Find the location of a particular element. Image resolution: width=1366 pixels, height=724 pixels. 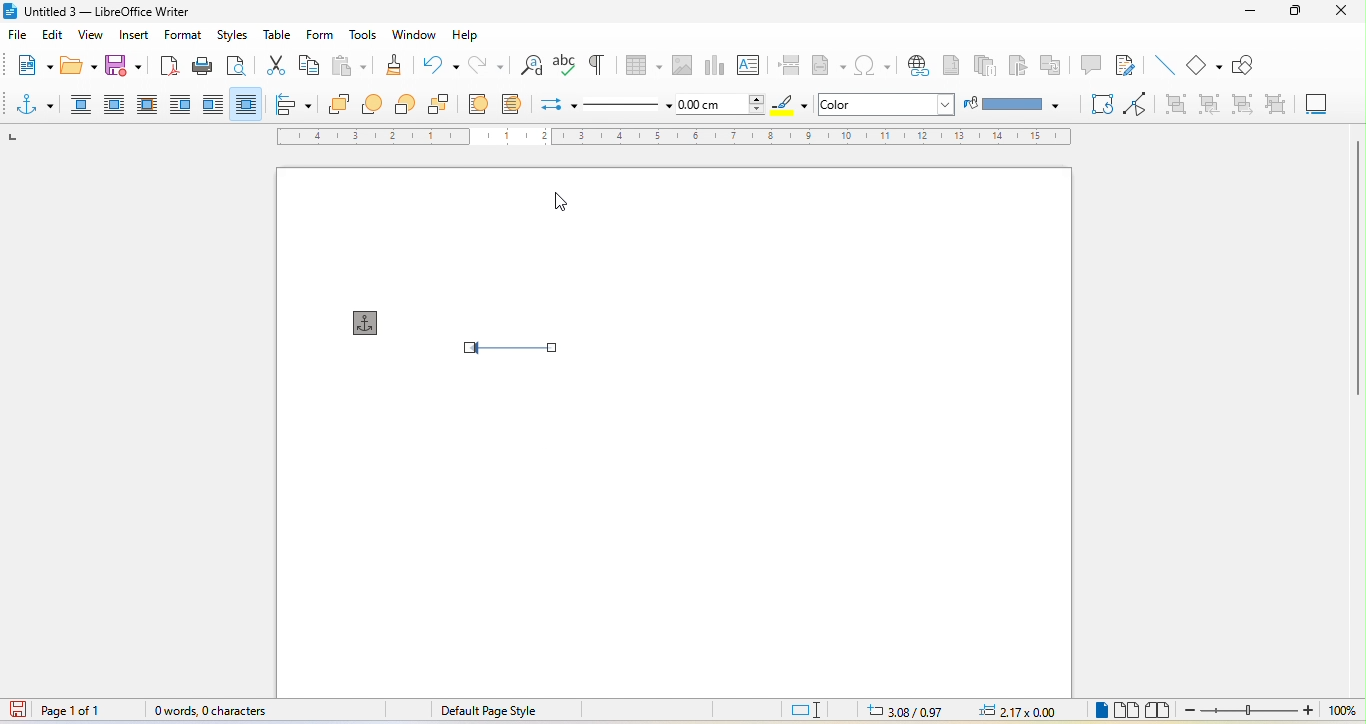

to foreground is located at coordinates (480, 103).